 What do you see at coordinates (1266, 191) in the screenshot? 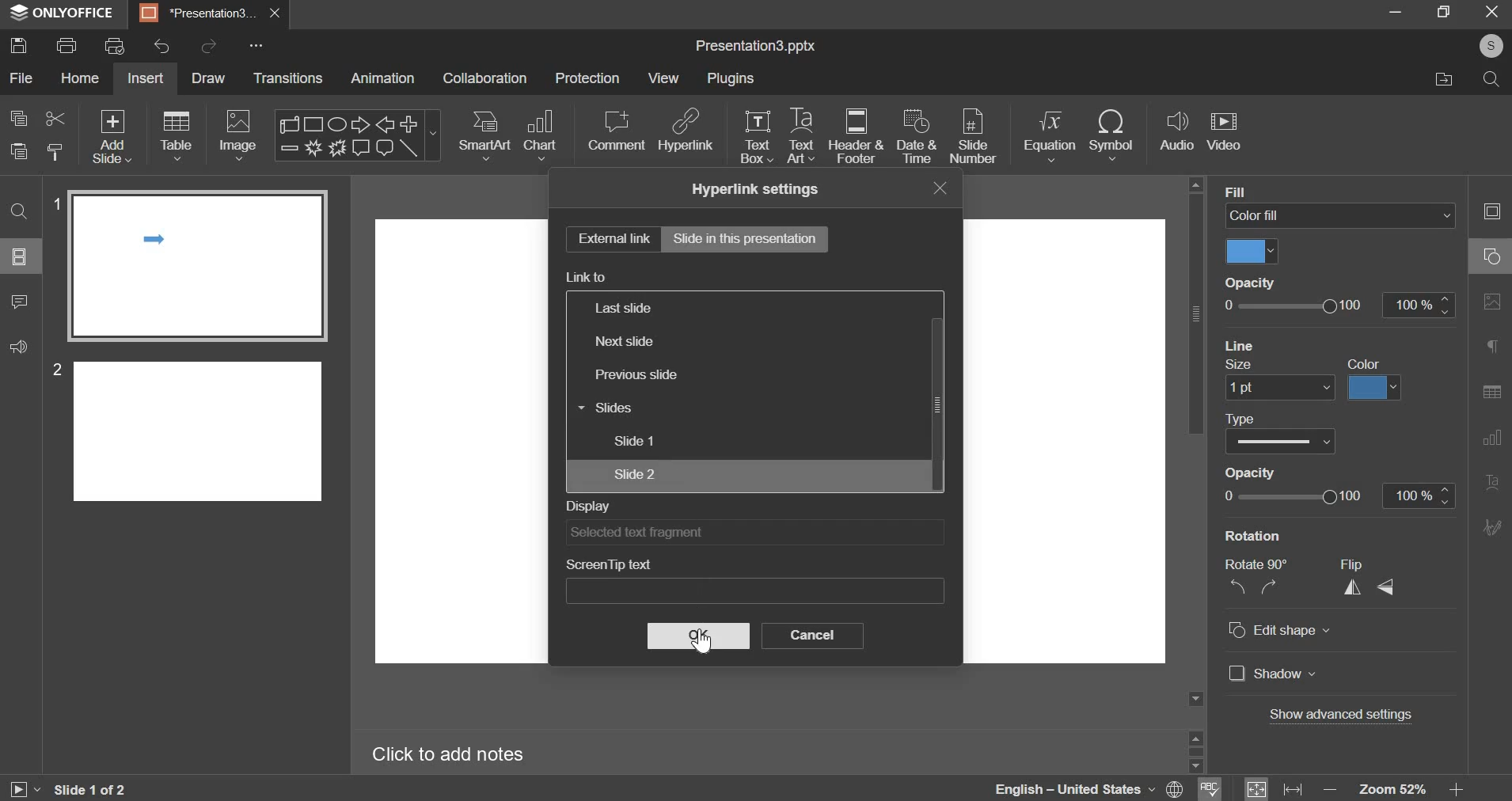
I see `background` at bounding box center [1266, 191].